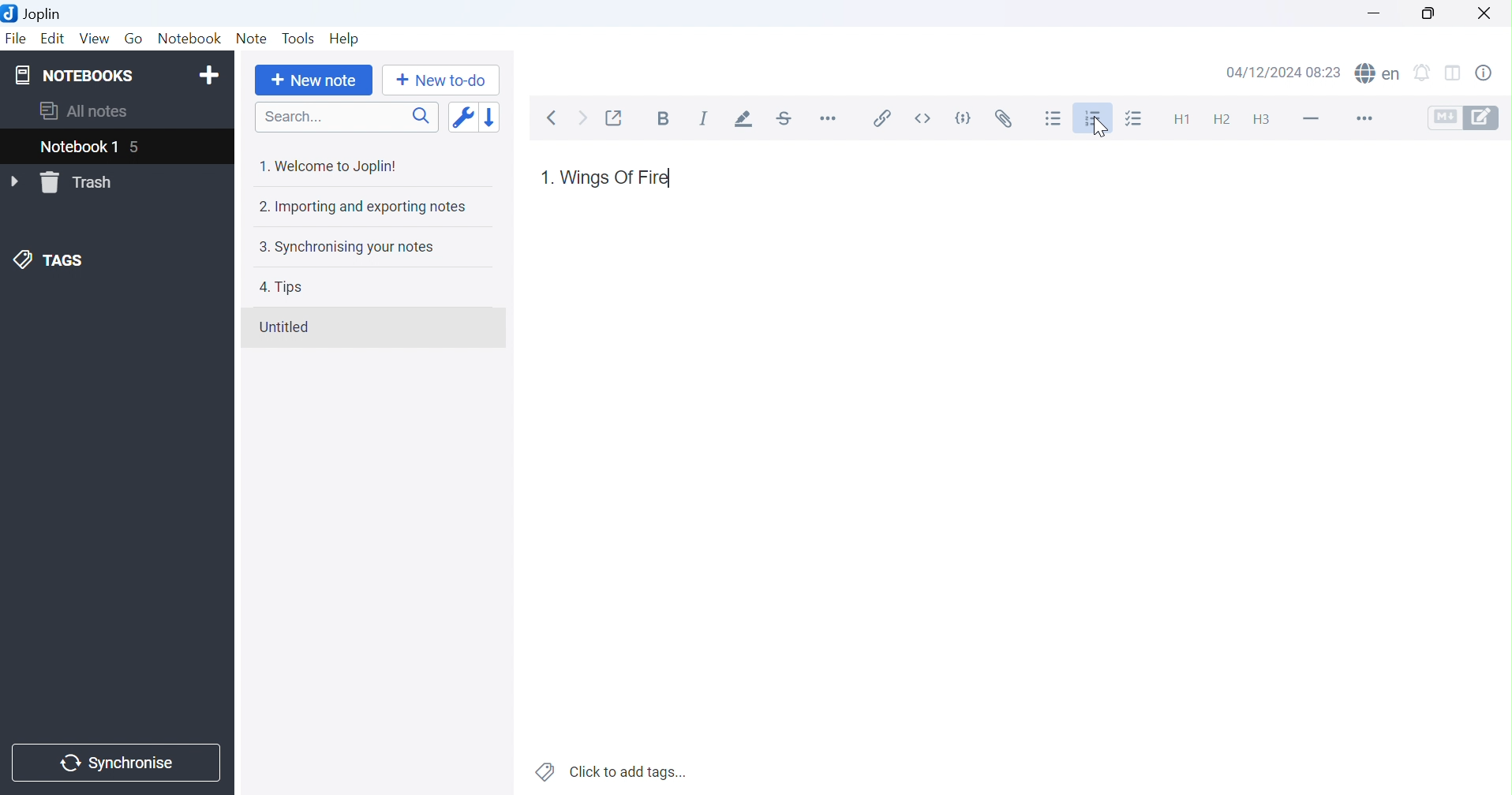 Image resolution: width=1512 pixels, height=795 pixels. Describe the element at coordinates (1375, 13) in the screenshot. I see `Minimize` at that location.